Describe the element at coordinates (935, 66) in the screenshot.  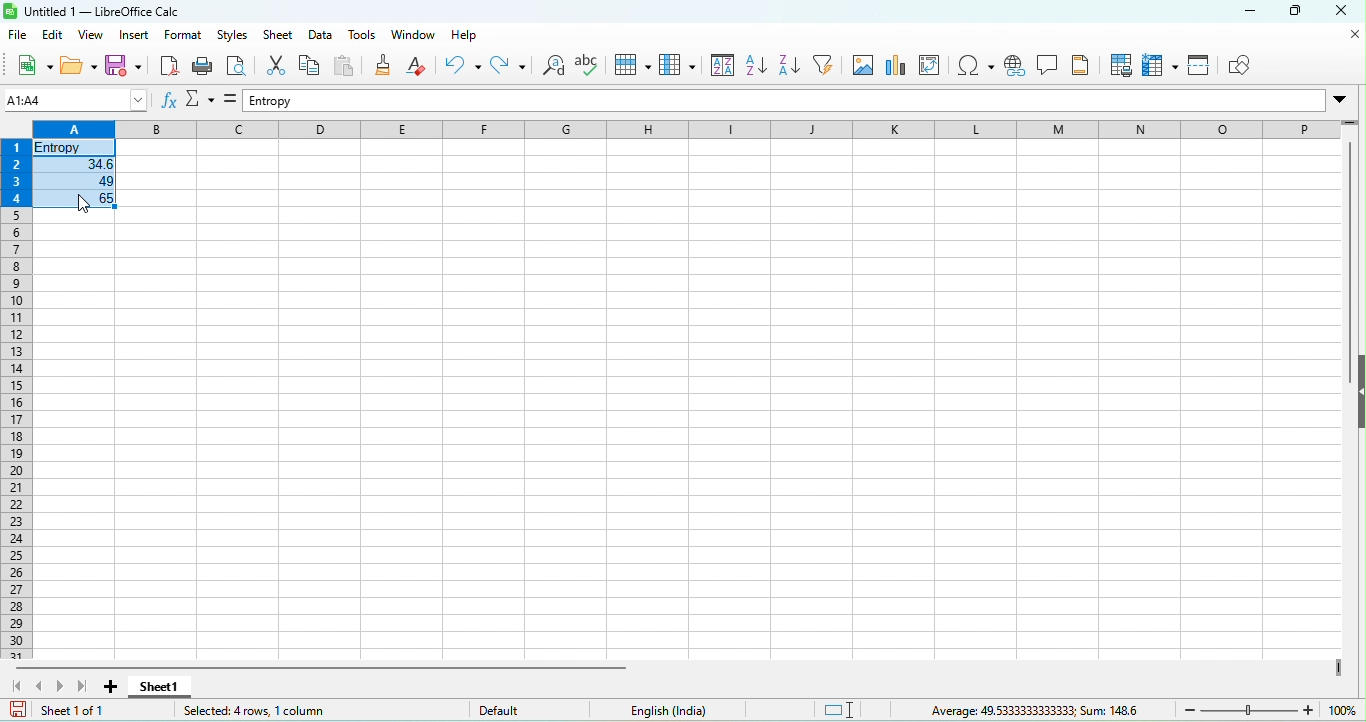
I see `edit pivot table` at that location.